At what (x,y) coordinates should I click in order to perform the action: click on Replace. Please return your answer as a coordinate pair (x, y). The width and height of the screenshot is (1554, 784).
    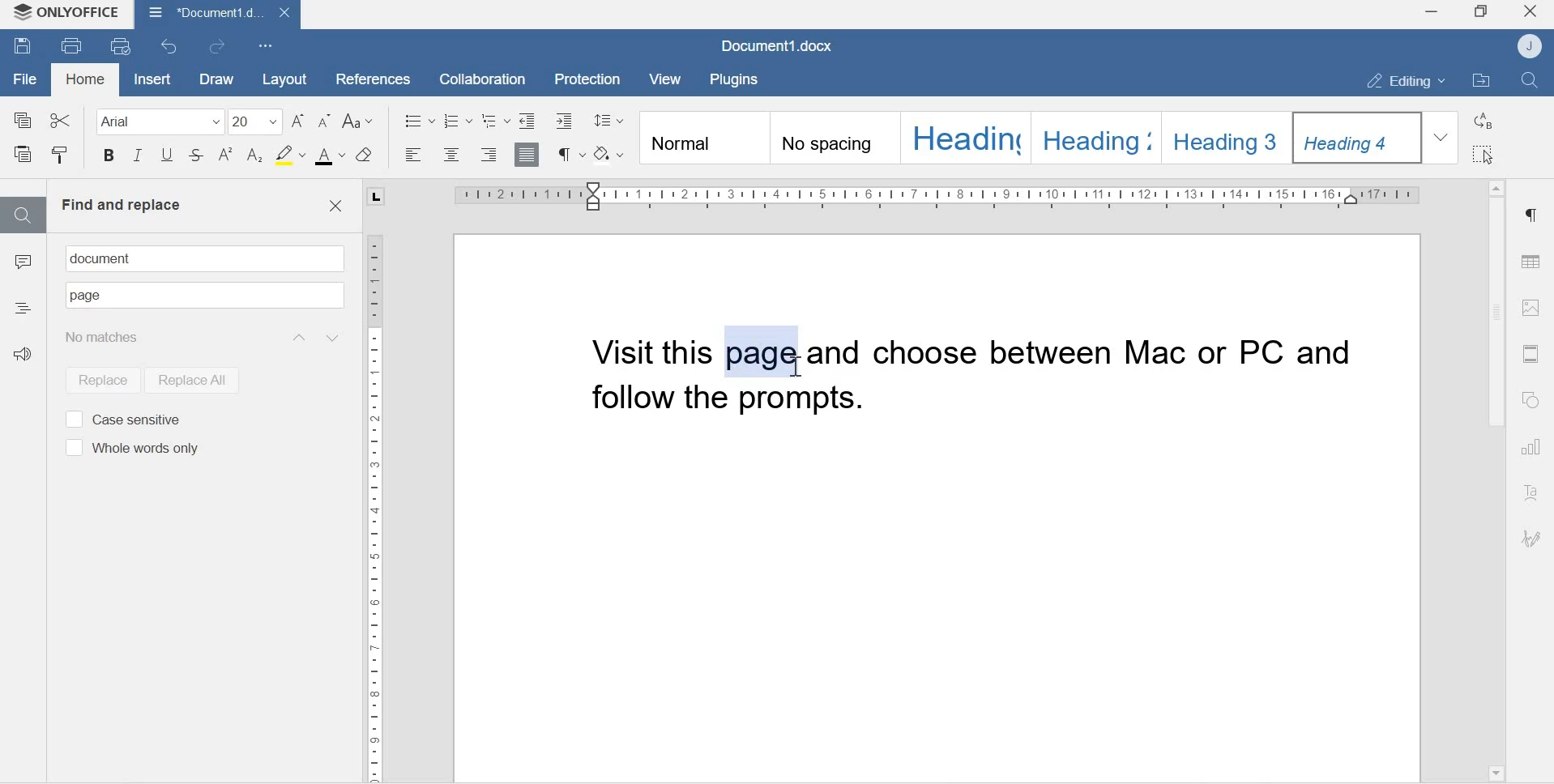
    Looking at the image, I should click on (97, 378).